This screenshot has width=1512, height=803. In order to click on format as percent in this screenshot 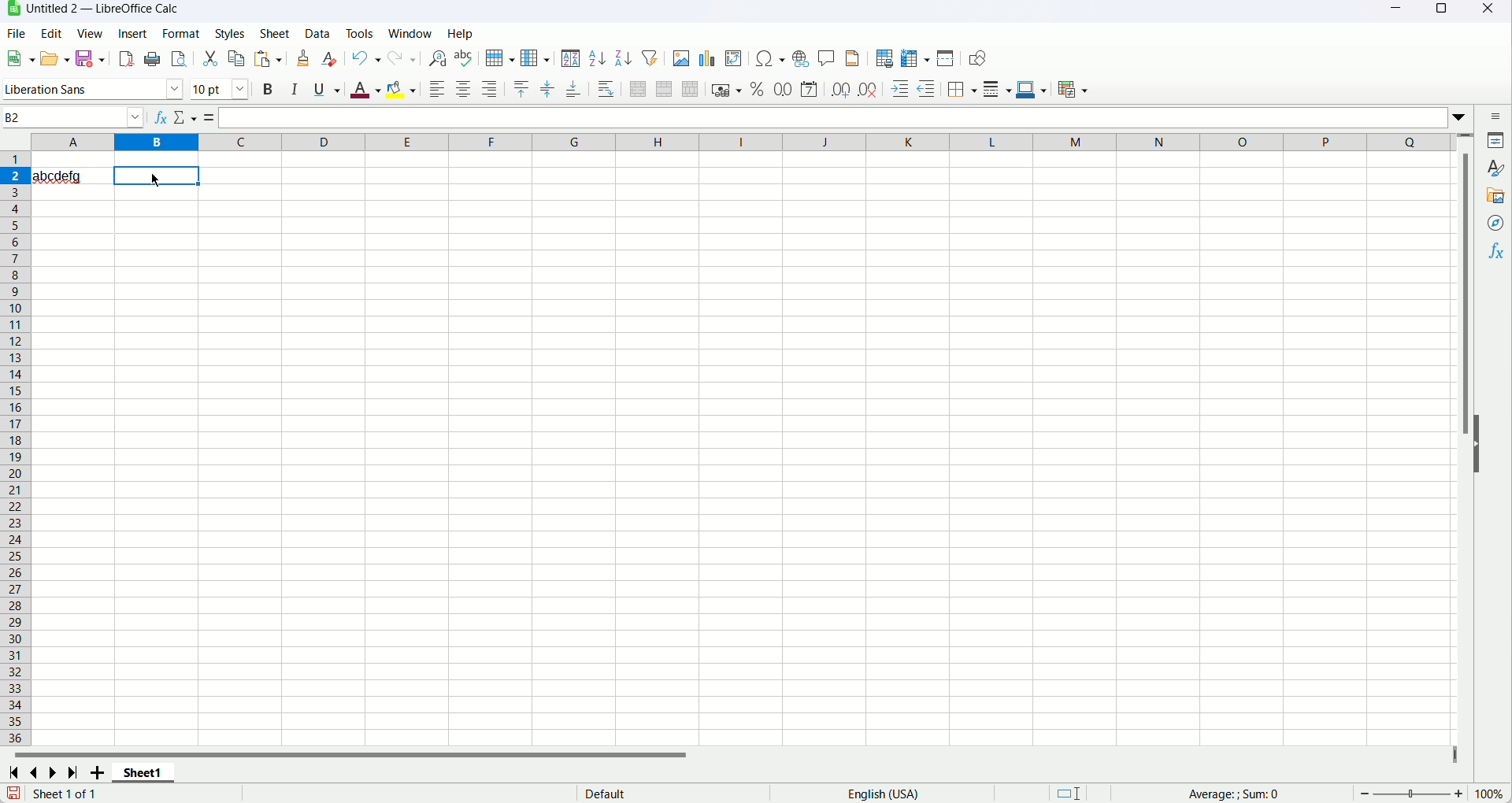, I will do `click(759, 90)`.